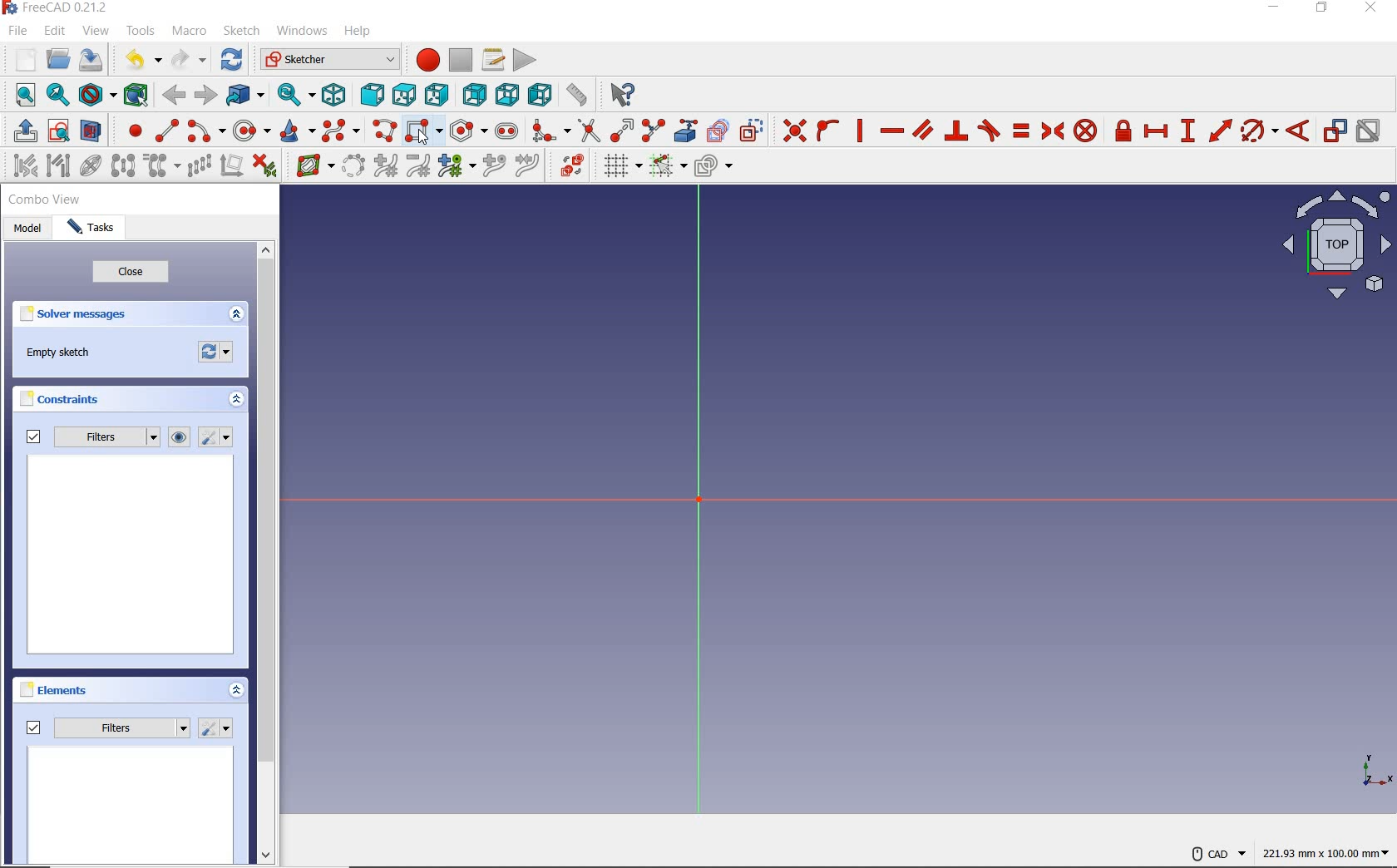 The image size is (1397, 868). Describe the element at coordinates (546, 131) in the screenshot. I see `create fillet` at that location.